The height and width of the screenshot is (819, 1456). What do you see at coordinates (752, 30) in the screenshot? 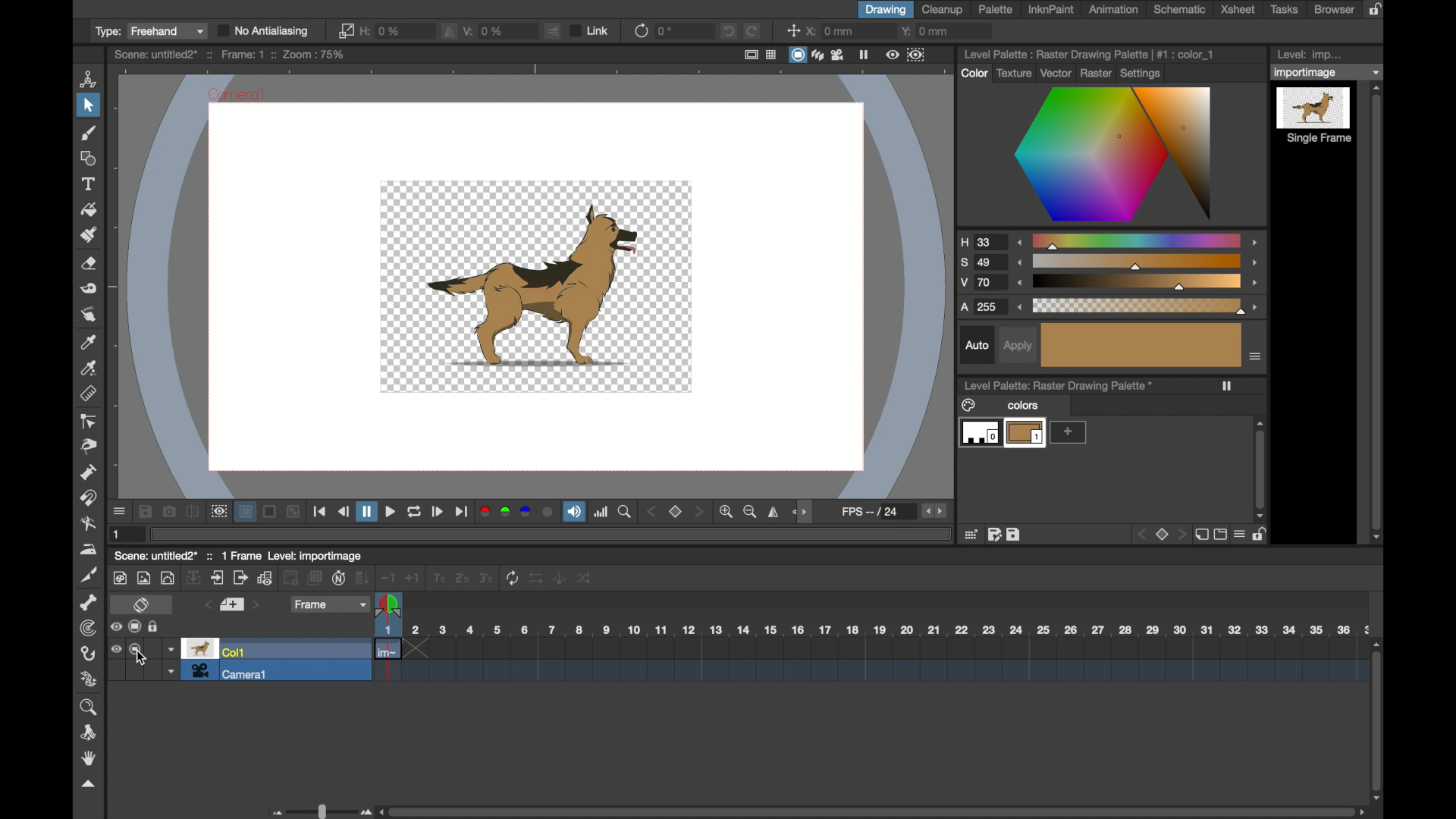
I see `redo` at bounding box center [752, 30].